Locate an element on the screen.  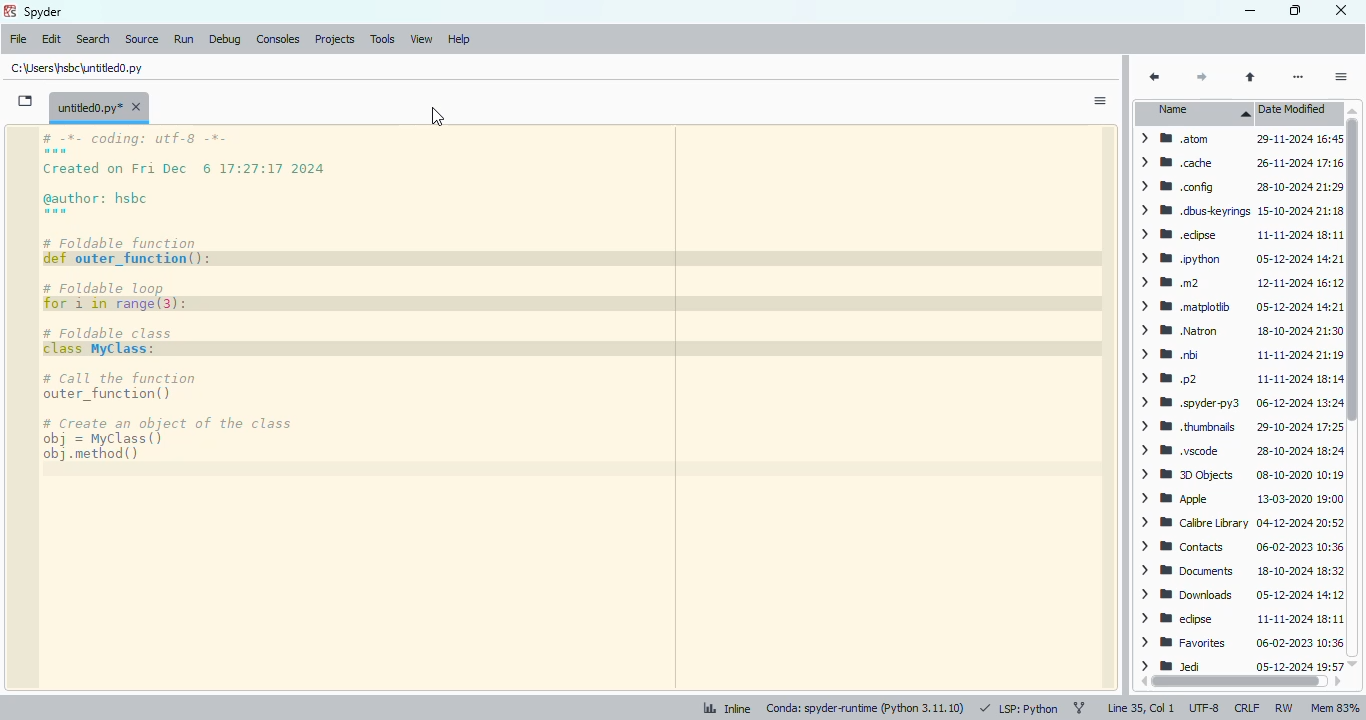
projects is located at coordinates (335, 39).